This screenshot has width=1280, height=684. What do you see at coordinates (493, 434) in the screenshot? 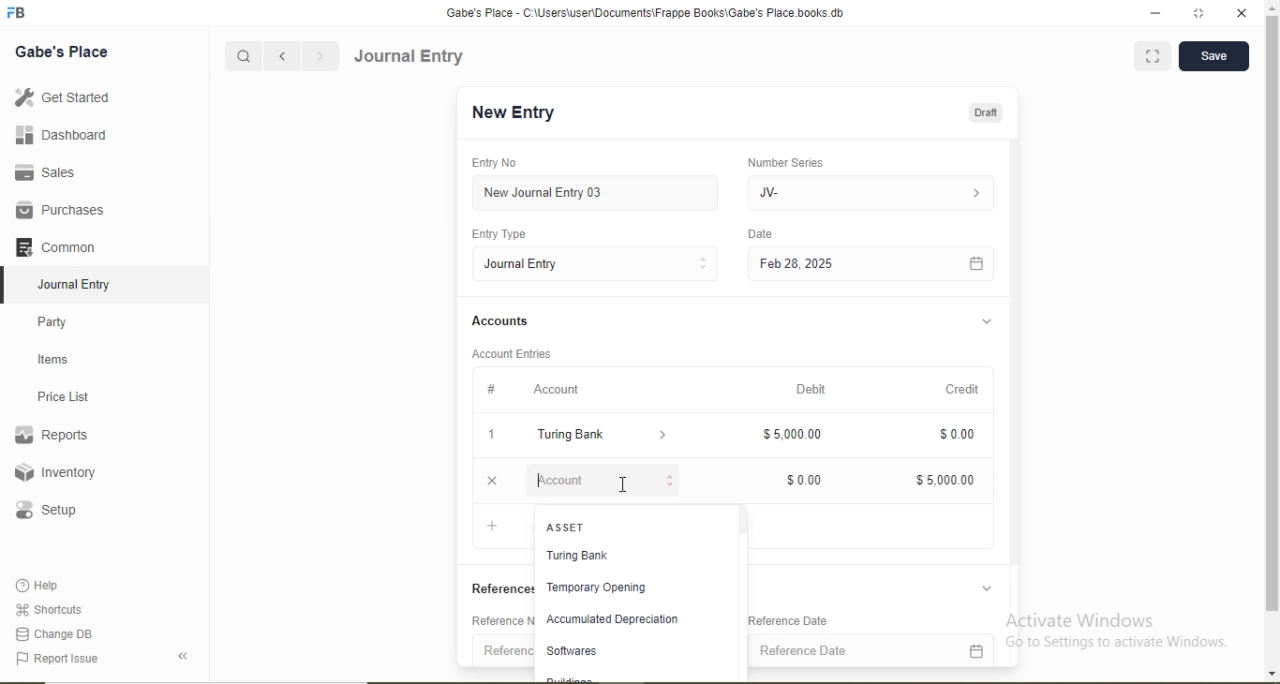
I see `1` at bounding box center [493, 434].